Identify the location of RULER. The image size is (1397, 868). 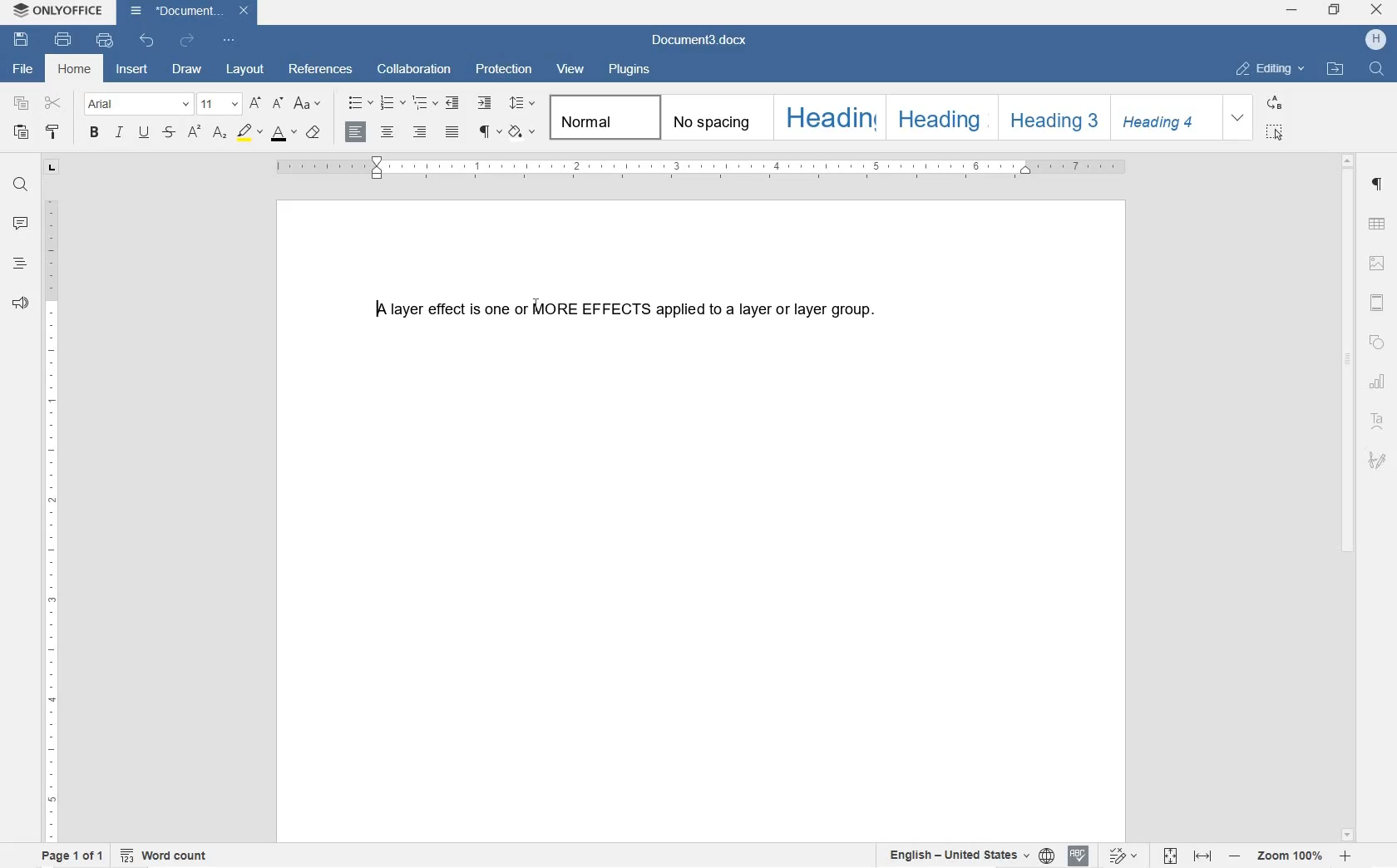
(51, 518).